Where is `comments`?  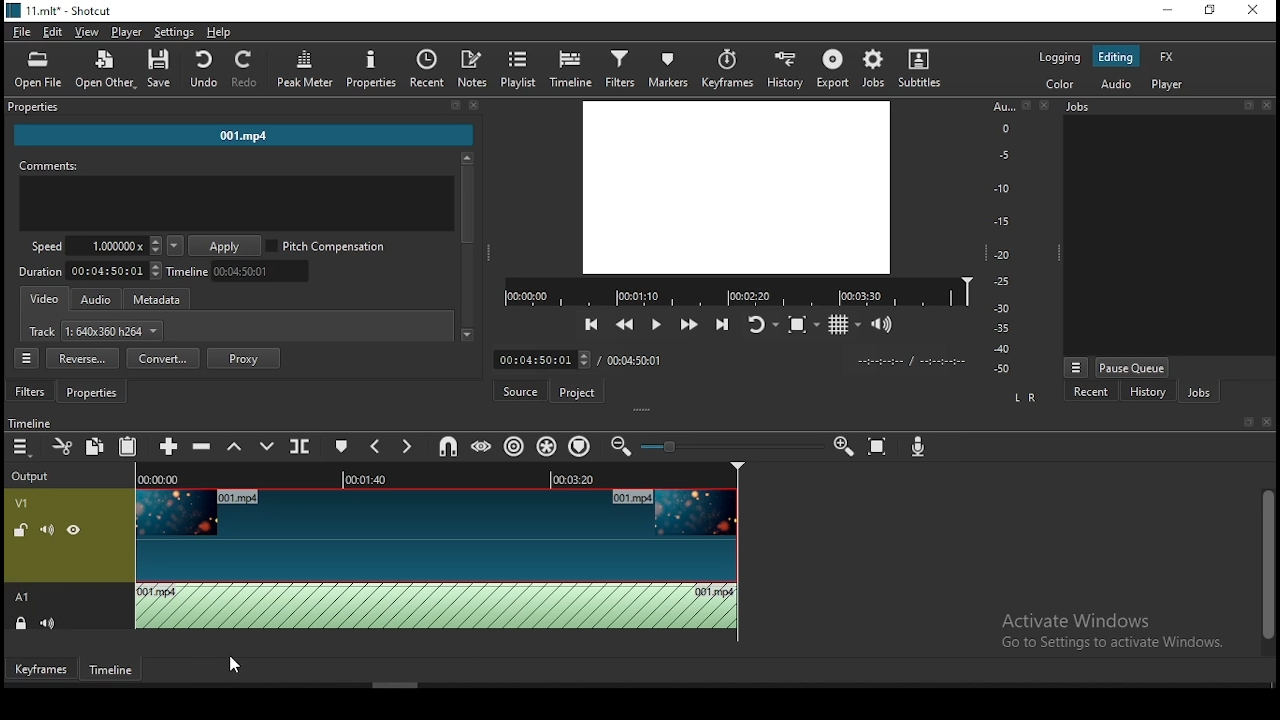 comments is located at coordinates (234, 195).